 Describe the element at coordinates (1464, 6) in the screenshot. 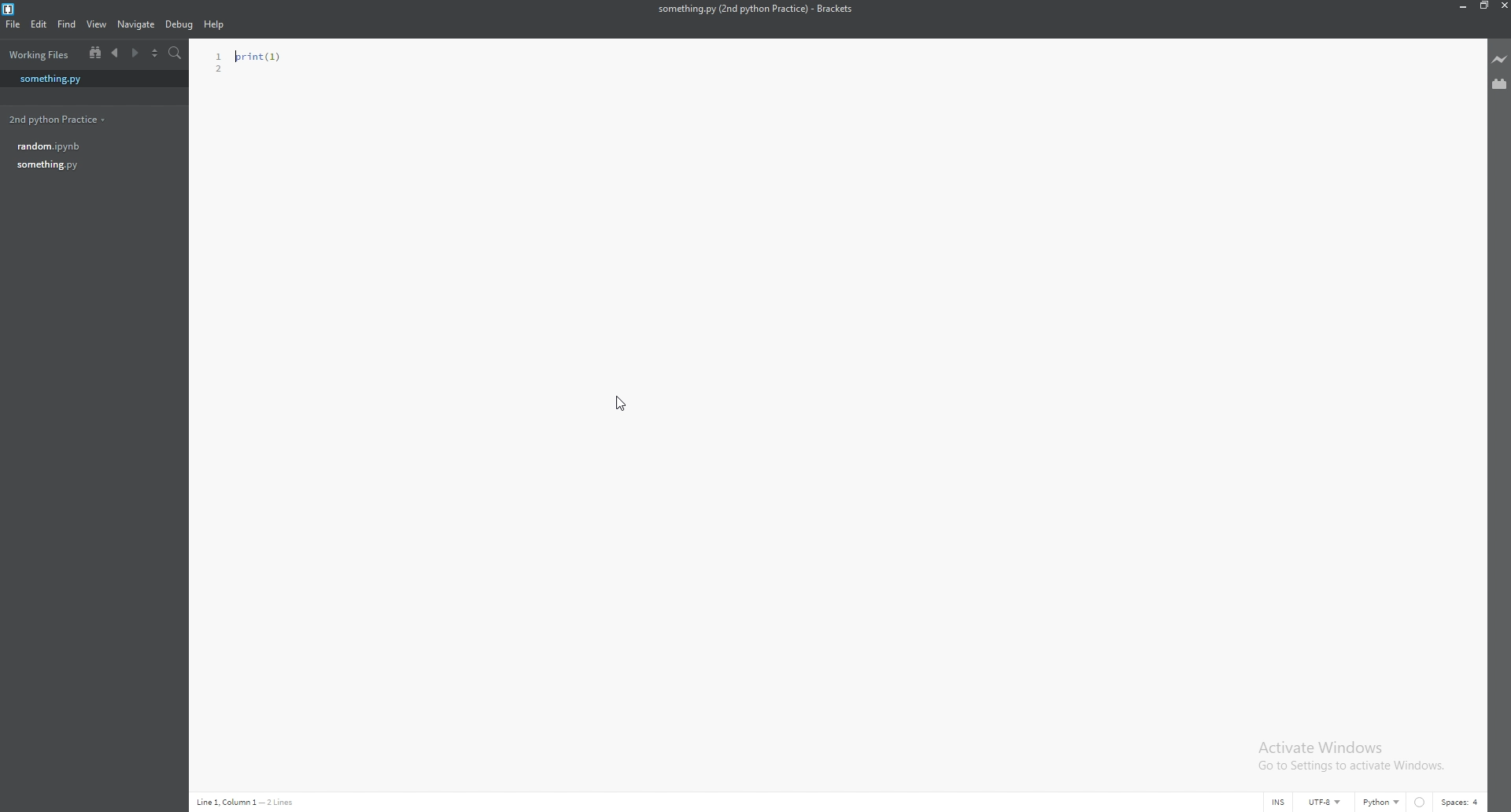

I see `minimize` at that location.